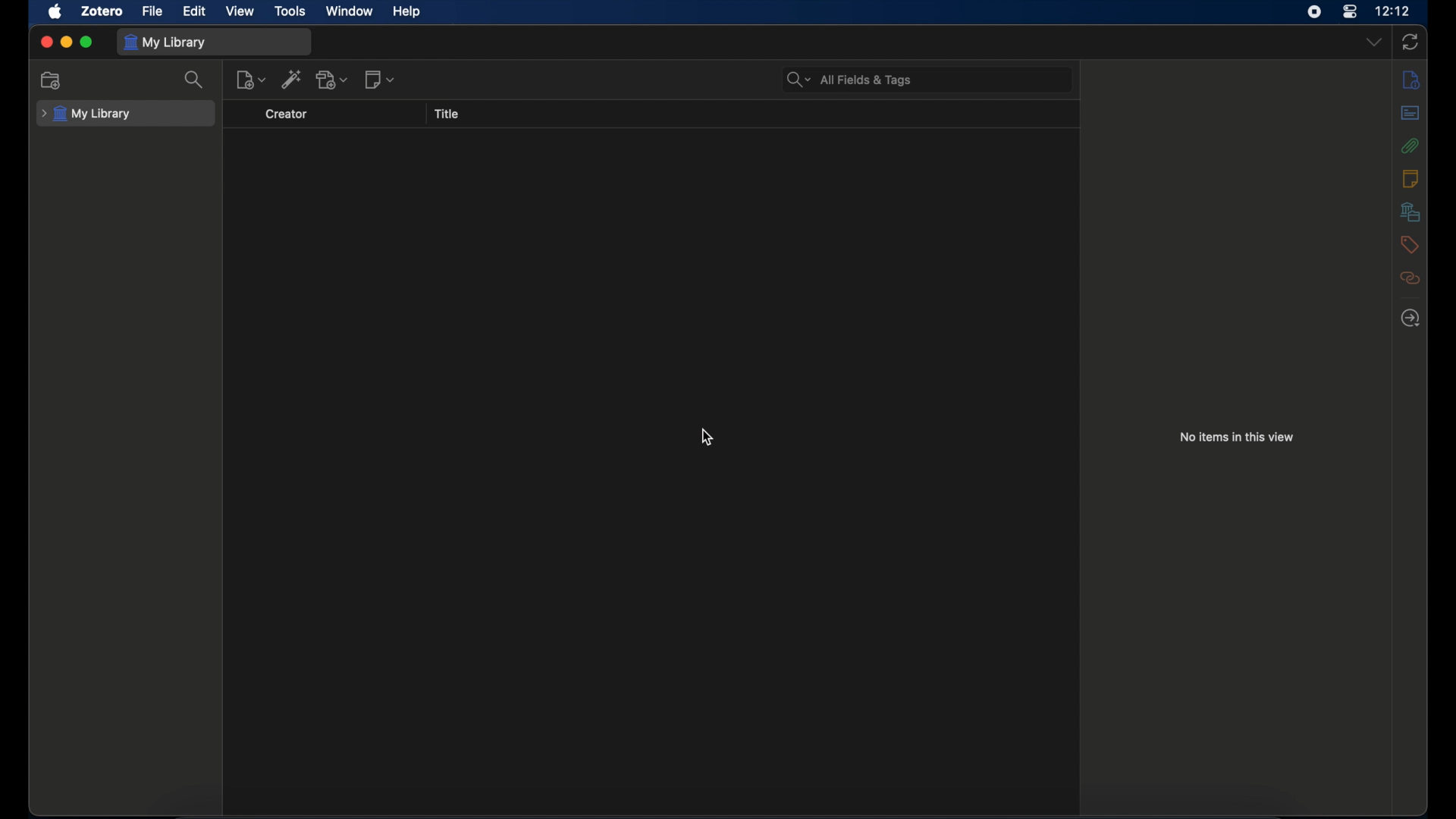  I want to click on edit, so click(196, 11).